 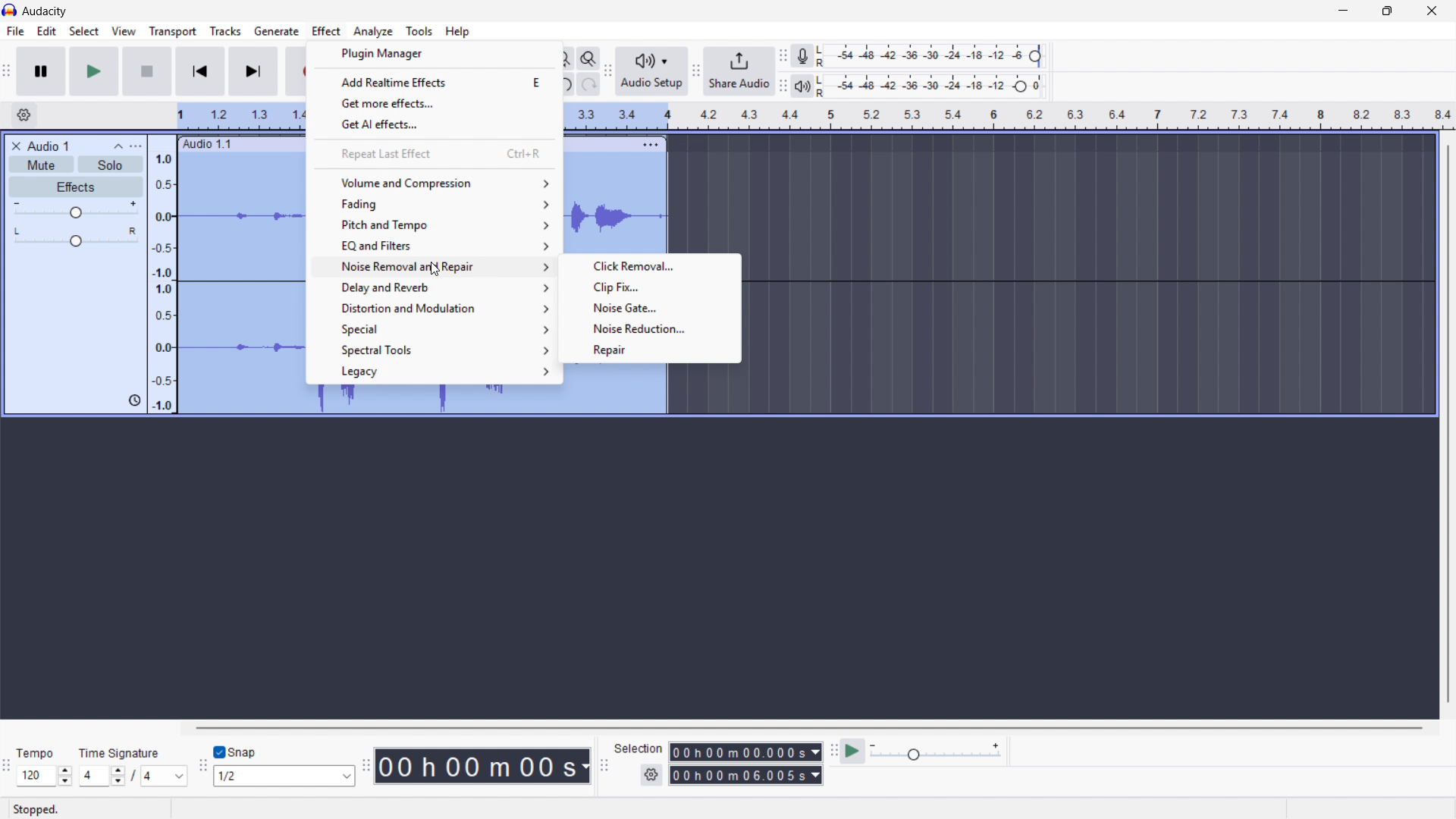 What do you see at coordinates (372, 31) in the screenshot?
I see `Analyse` at bounding box center [372, 31].